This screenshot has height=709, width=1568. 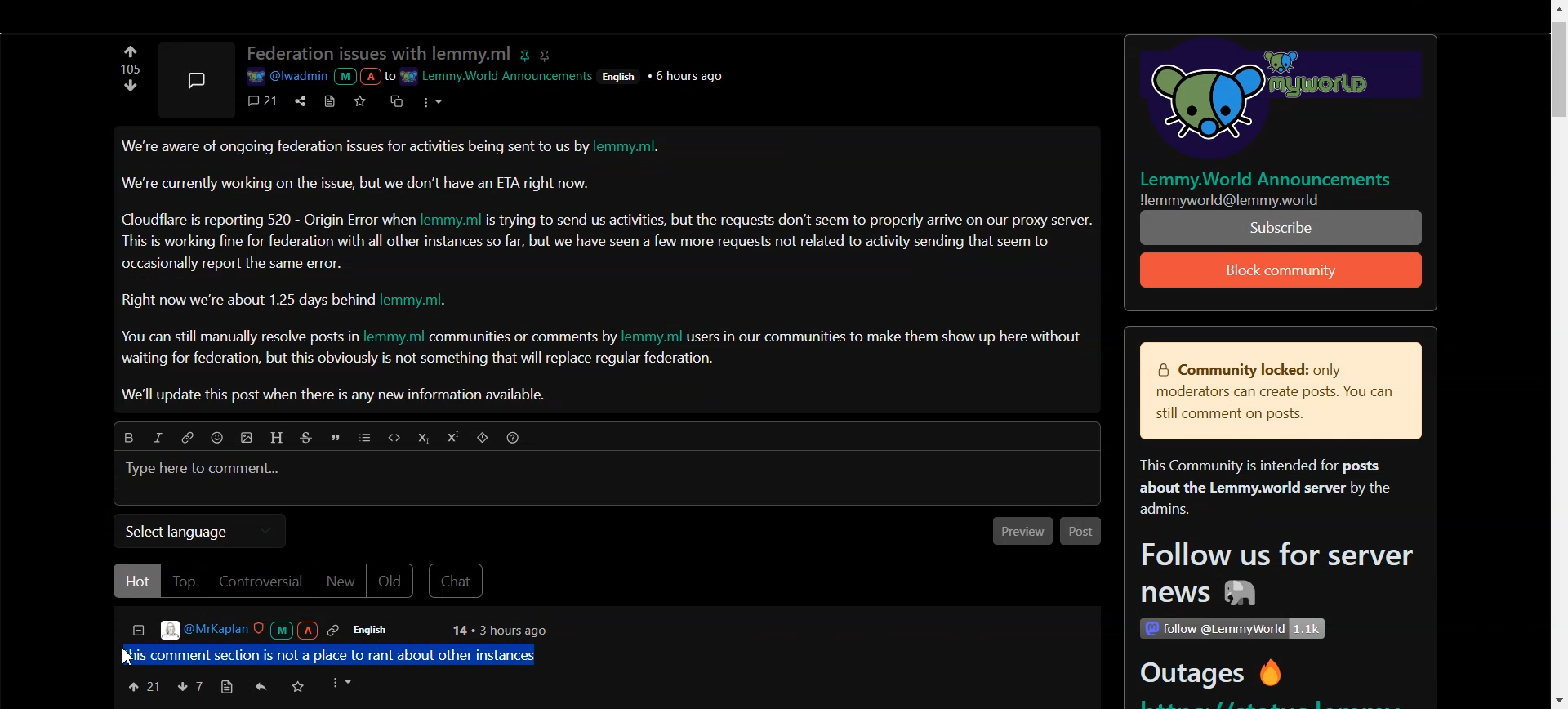 I want to click on Text Cursor, so click(x=537, y=660).